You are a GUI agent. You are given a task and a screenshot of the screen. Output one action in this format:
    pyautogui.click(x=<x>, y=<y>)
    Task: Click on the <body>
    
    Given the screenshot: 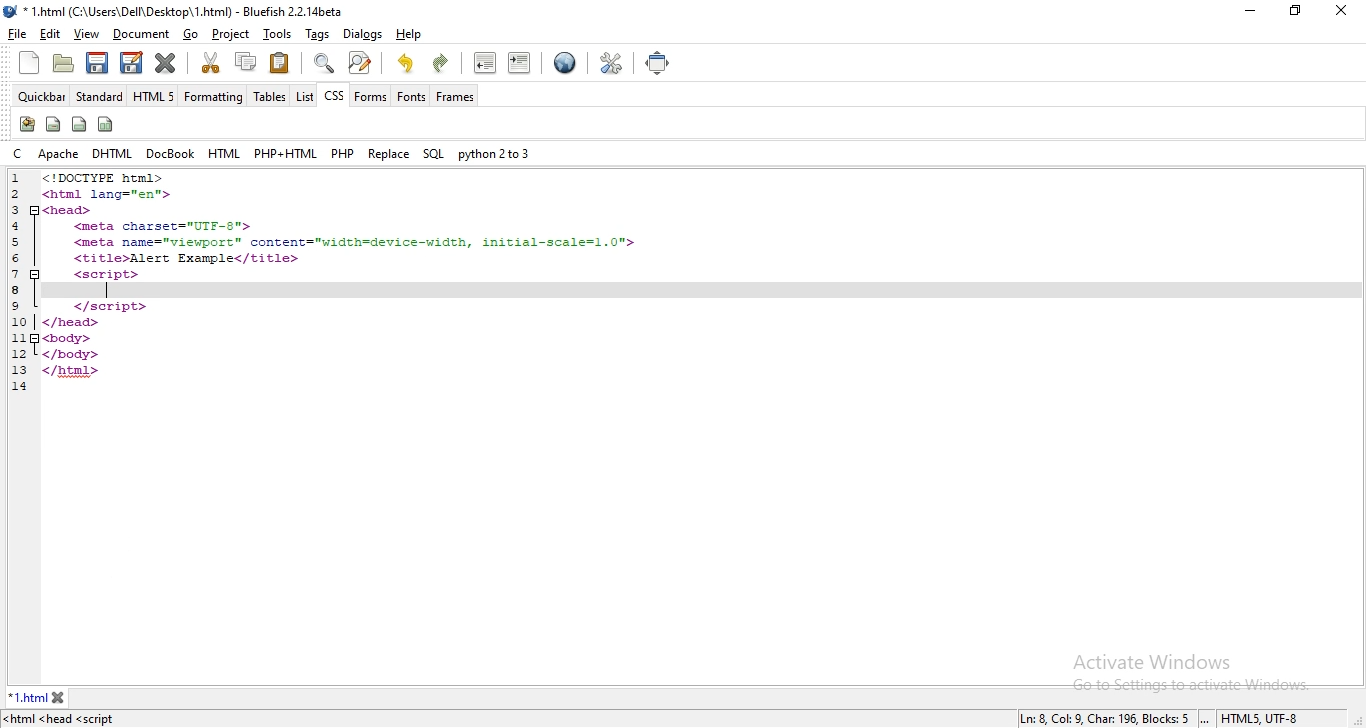 What is the action you would take?
    pyautogui.click(x=65, y=337)
    